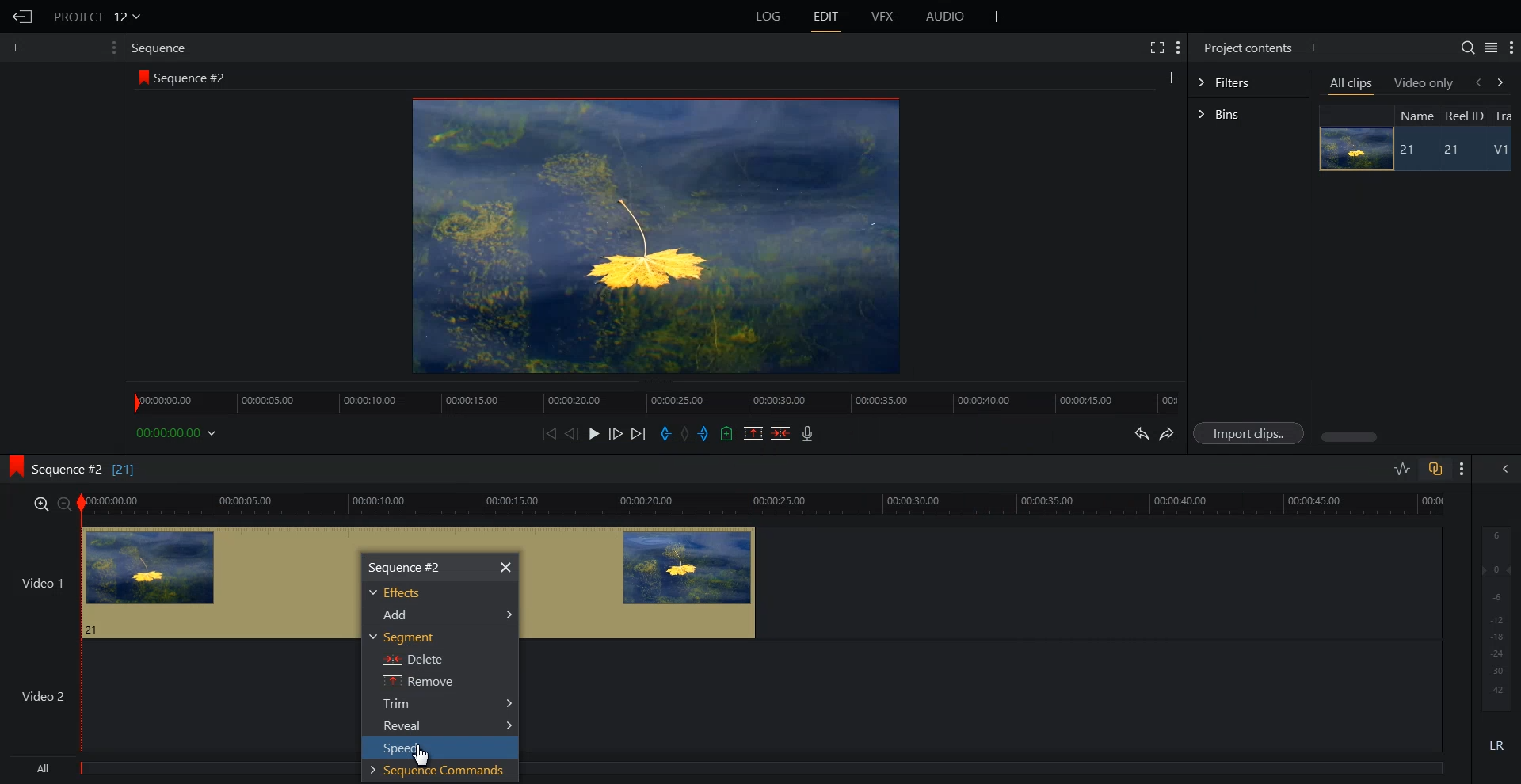 This screenshot has height=784, width=1521. I want to click on Add, so click(444, 614).